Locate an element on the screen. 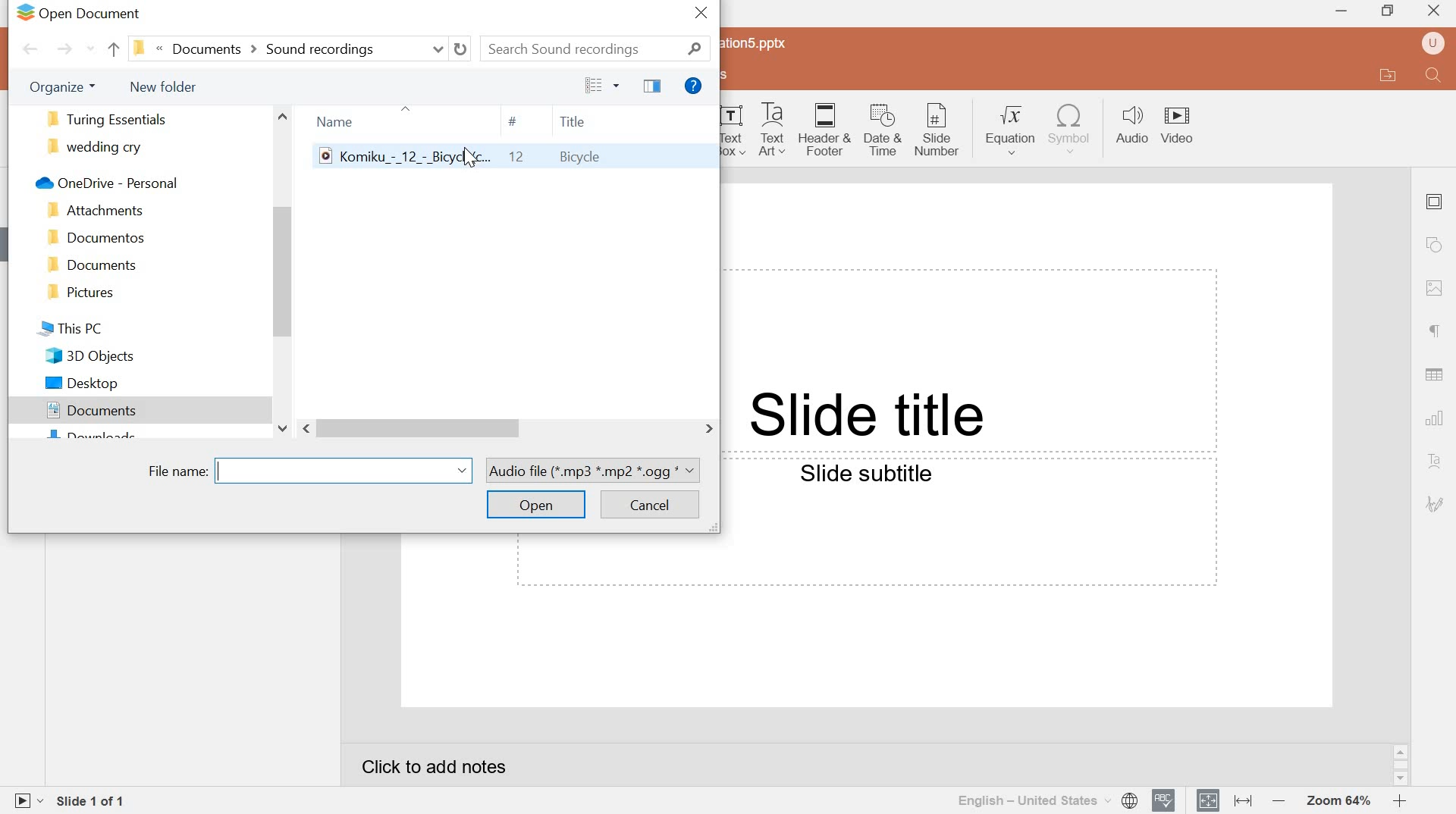 This screenshot has width=1456, height=814. Text field is located at coordinates (973, 525).